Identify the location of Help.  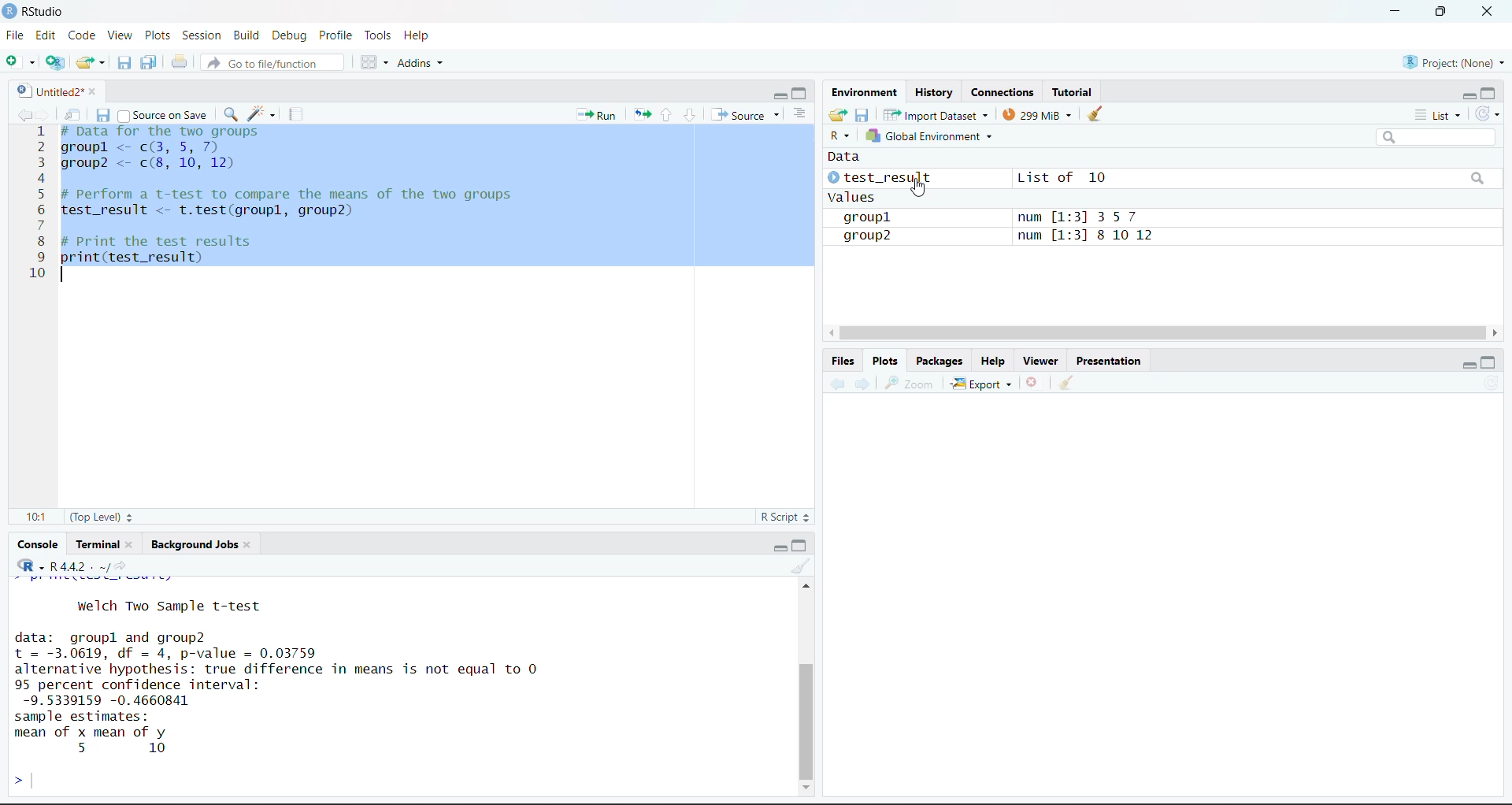
(996, 360).